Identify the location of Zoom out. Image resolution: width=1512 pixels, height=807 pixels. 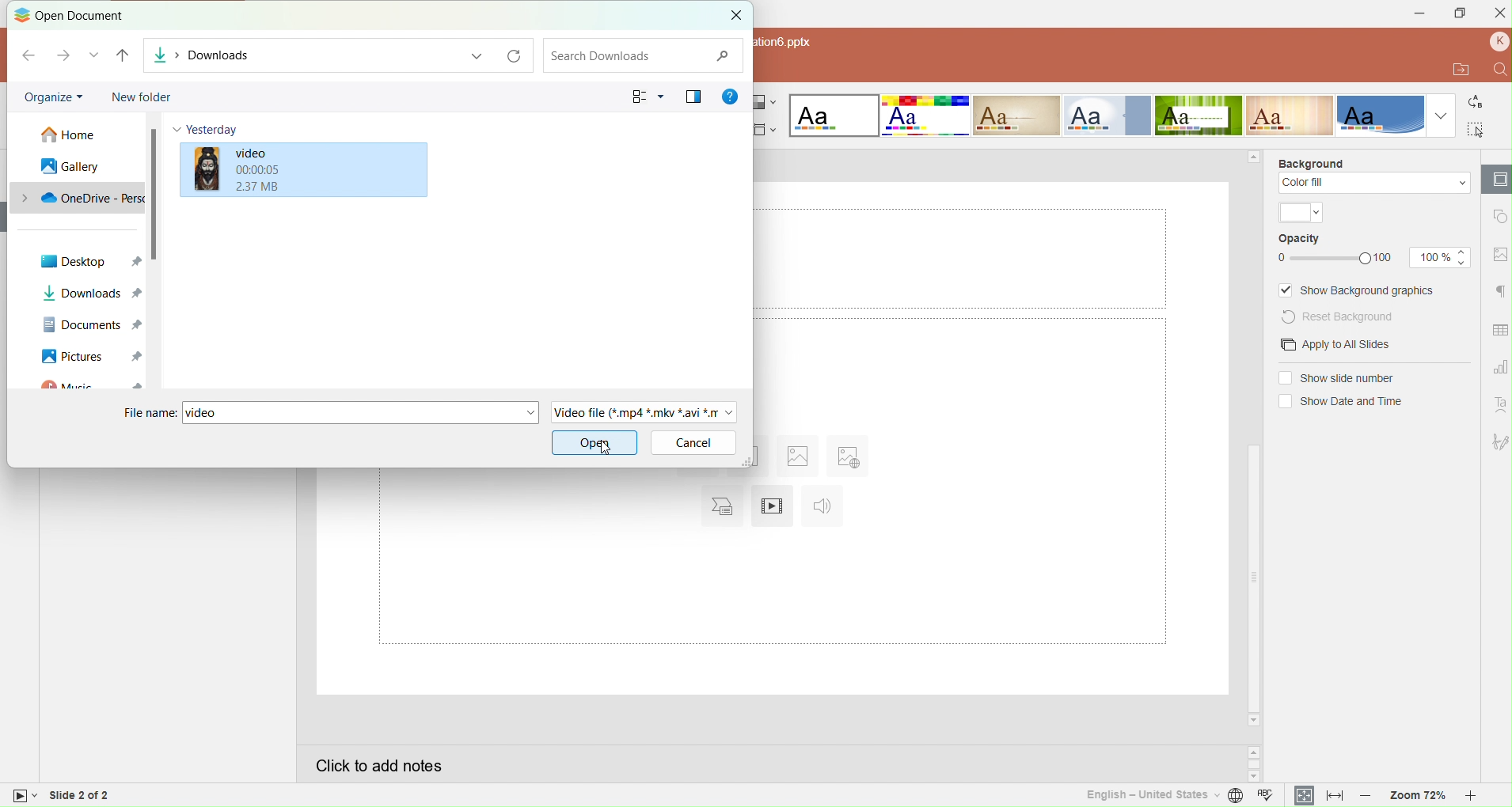
(1366, 796).